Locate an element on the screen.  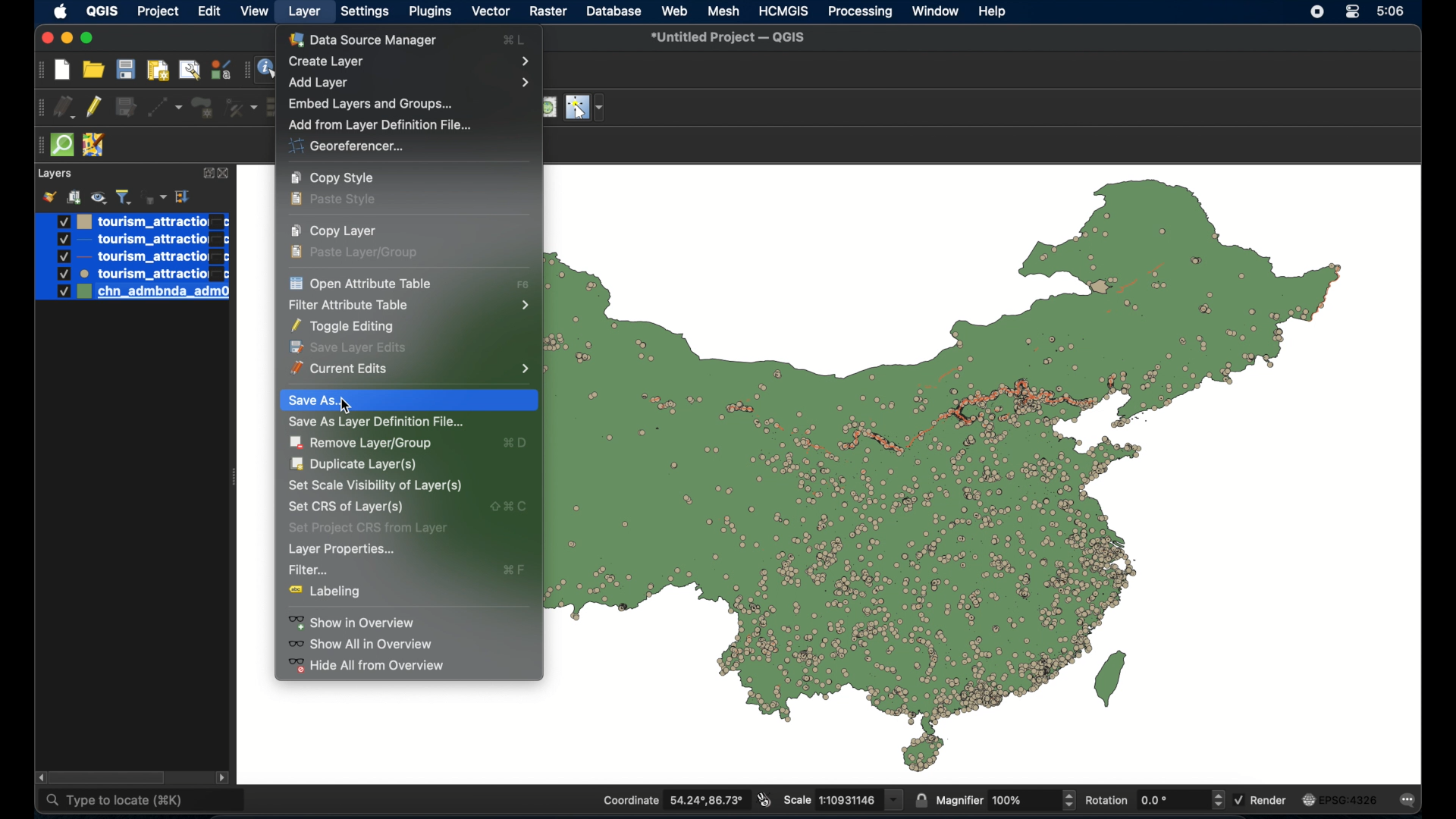
filter attribute table is located at coordinates (404, 306).